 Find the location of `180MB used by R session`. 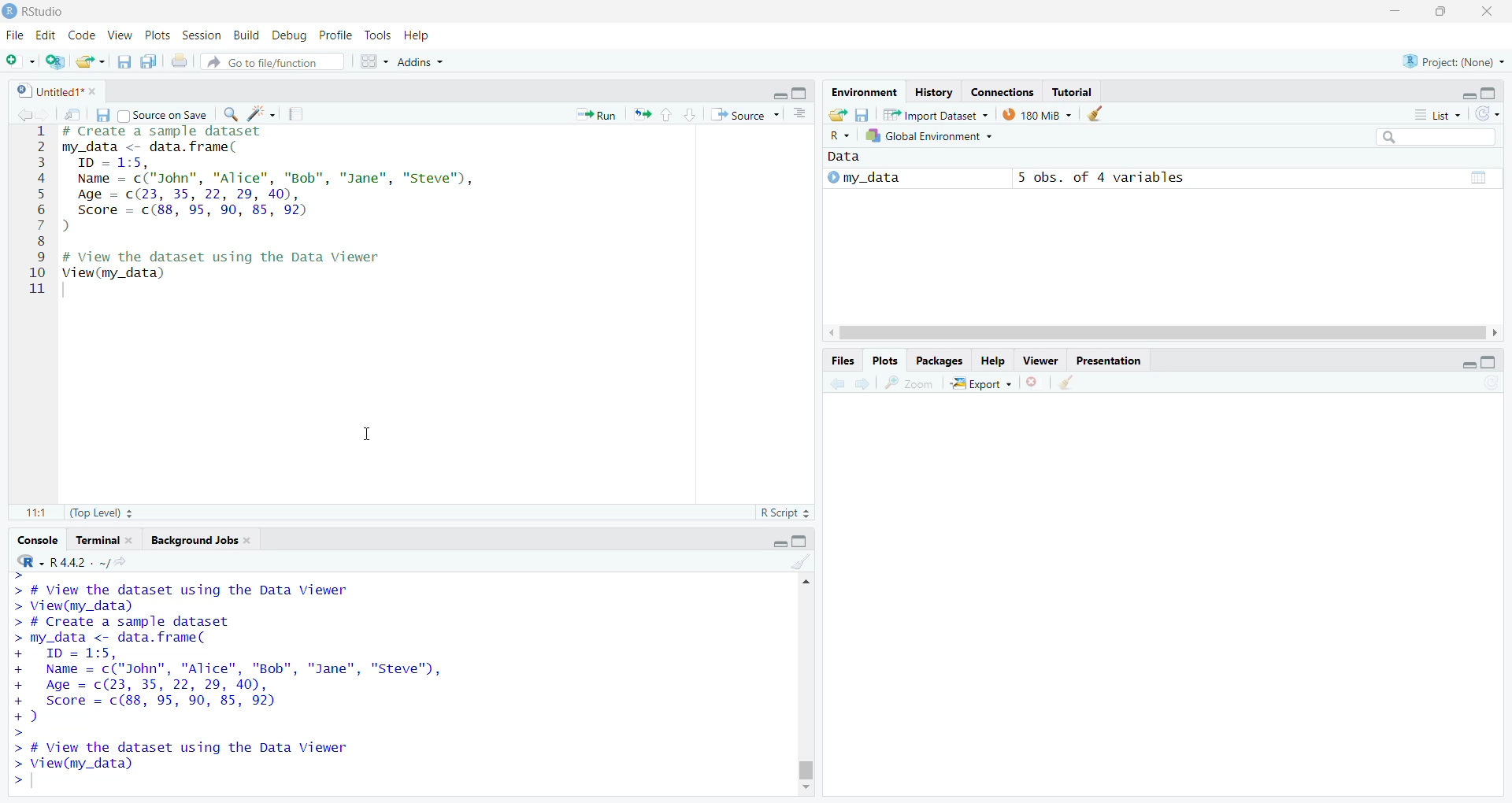

180MB used by R session is located at coordinates (1035, 115).